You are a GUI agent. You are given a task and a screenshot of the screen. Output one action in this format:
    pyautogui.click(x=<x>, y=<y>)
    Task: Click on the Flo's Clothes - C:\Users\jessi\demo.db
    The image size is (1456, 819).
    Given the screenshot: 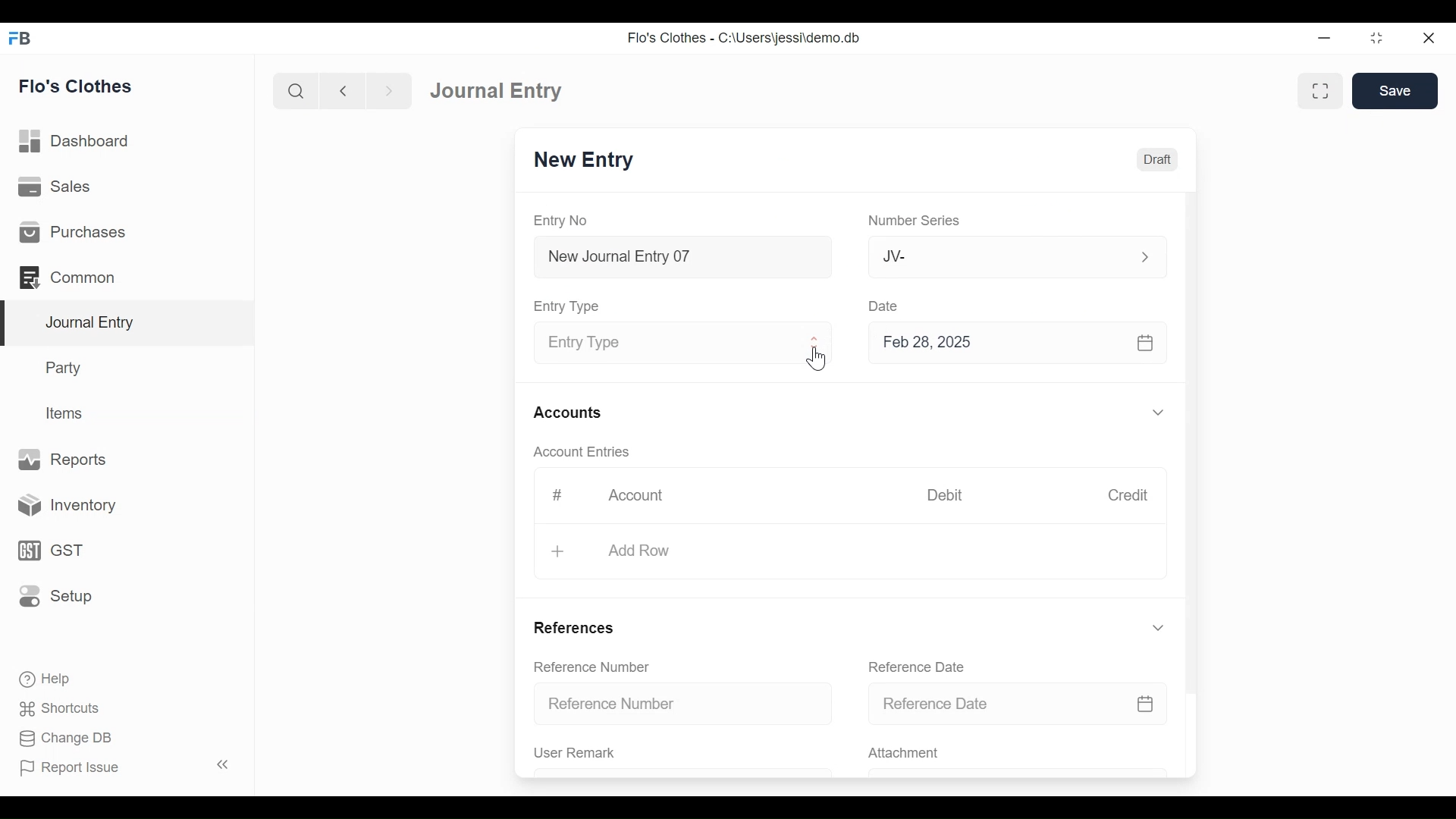 What is the action you would take?
    pyautogui.click(x=746, y=38)
    